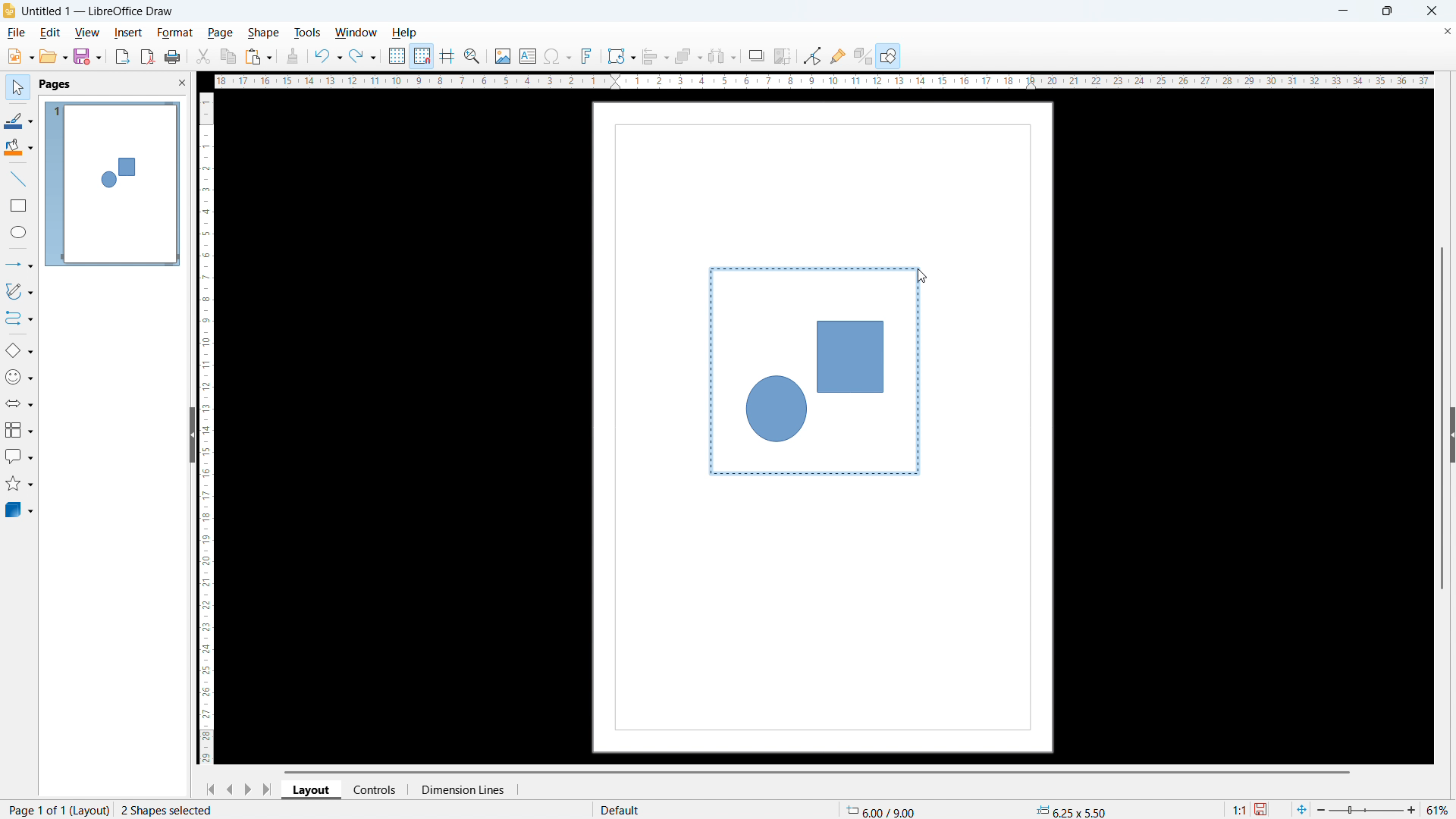  Describe the element at coordinates (22, 265) in the screenshot. I see `lines & arrows` at that location.